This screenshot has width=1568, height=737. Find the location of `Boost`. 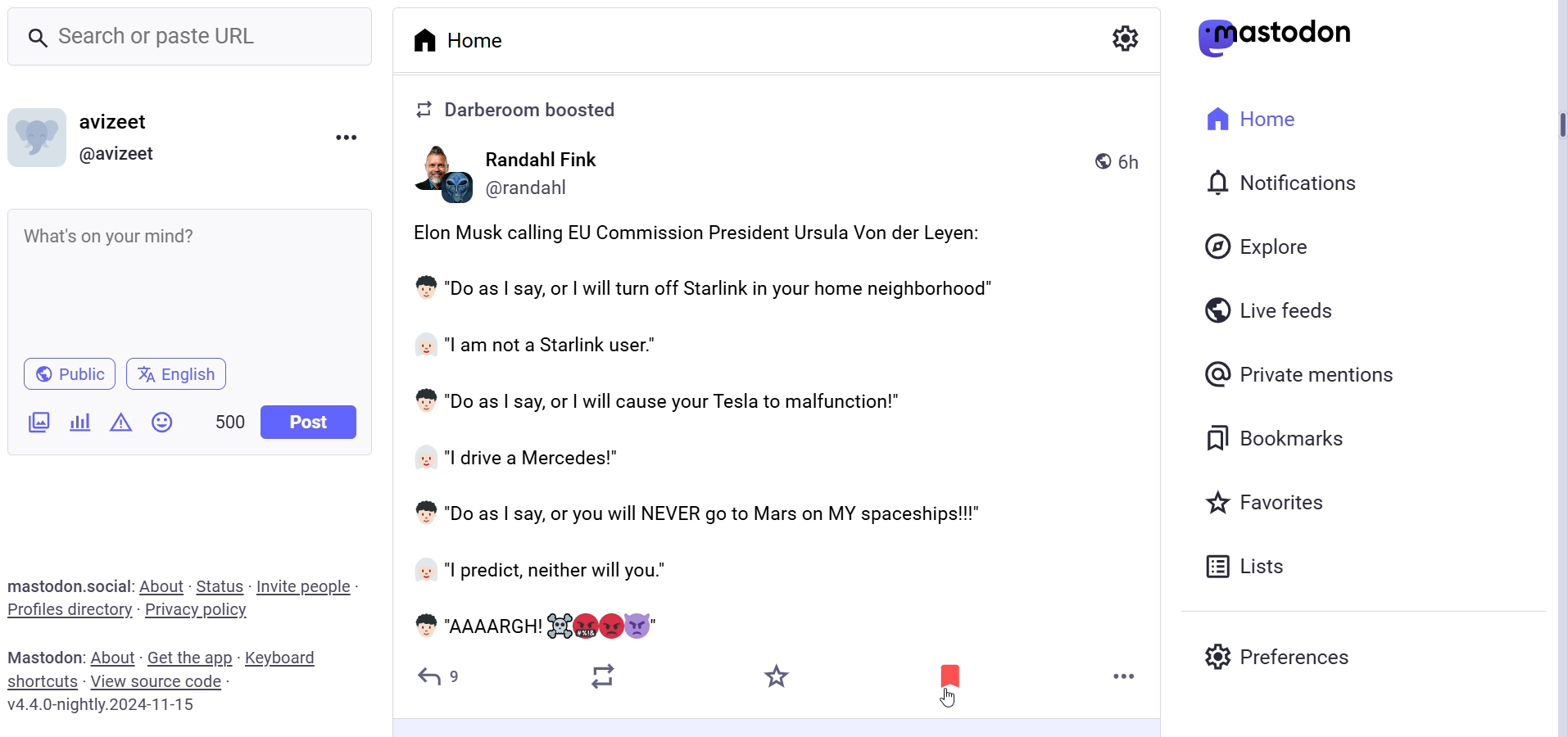

Boost is located at coordinates (606, 676).